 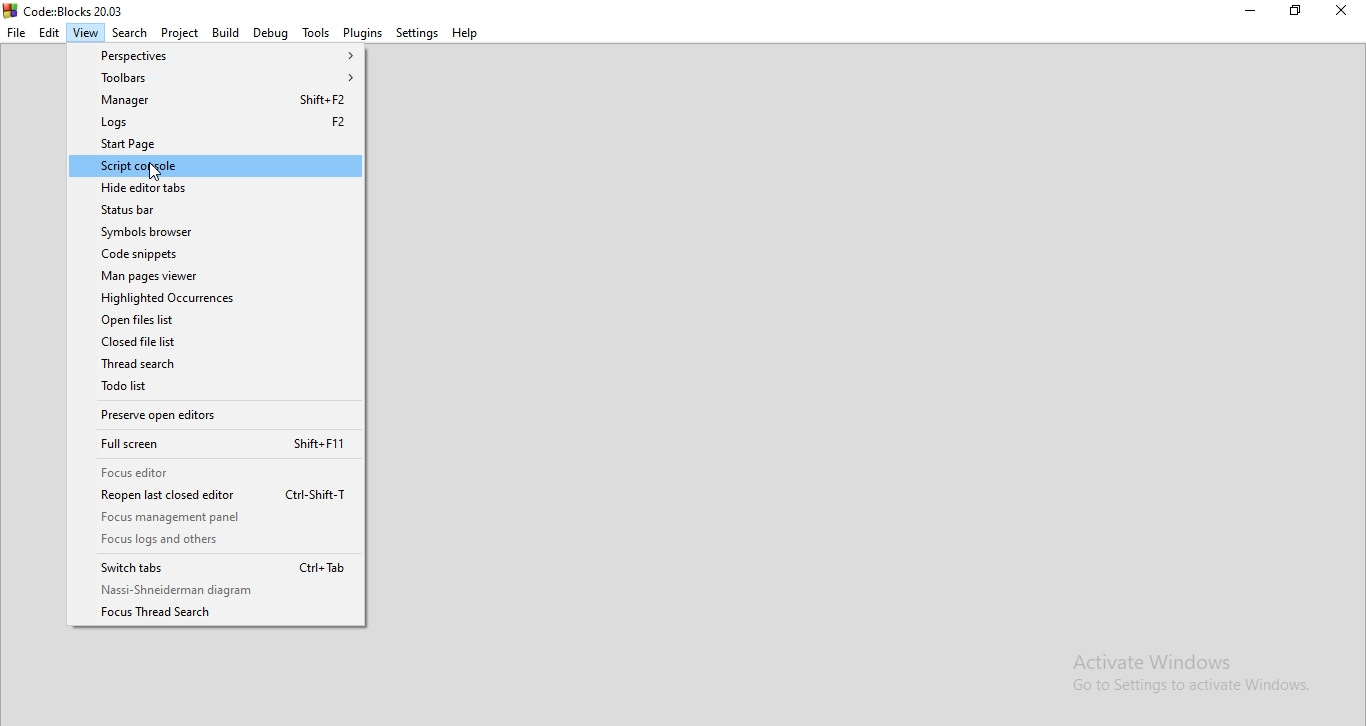 What do you see at coordinates (218, 444) in the screenshot?
I see `Full screen` at bounding box center [218, 444].